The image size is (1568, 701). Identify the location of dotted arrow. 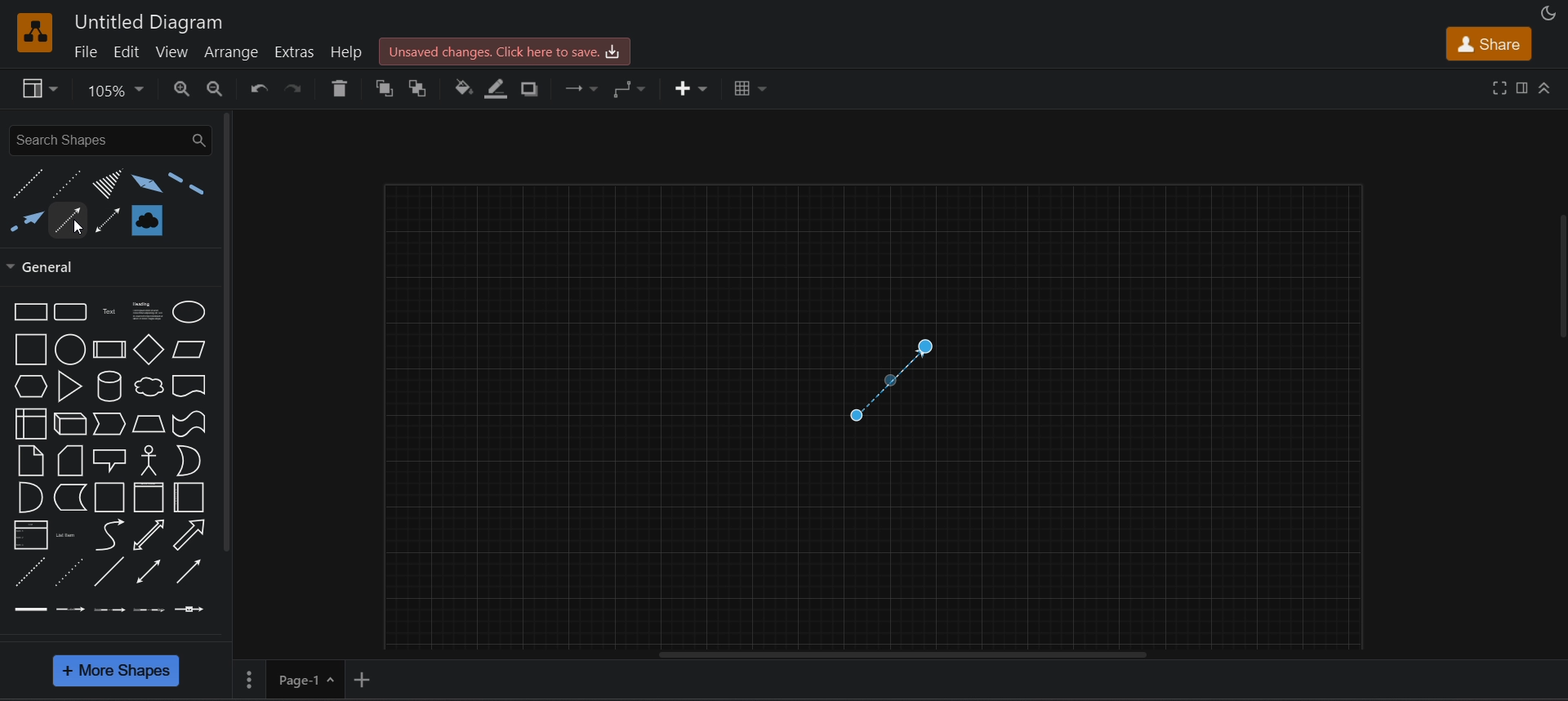
(884, 380).